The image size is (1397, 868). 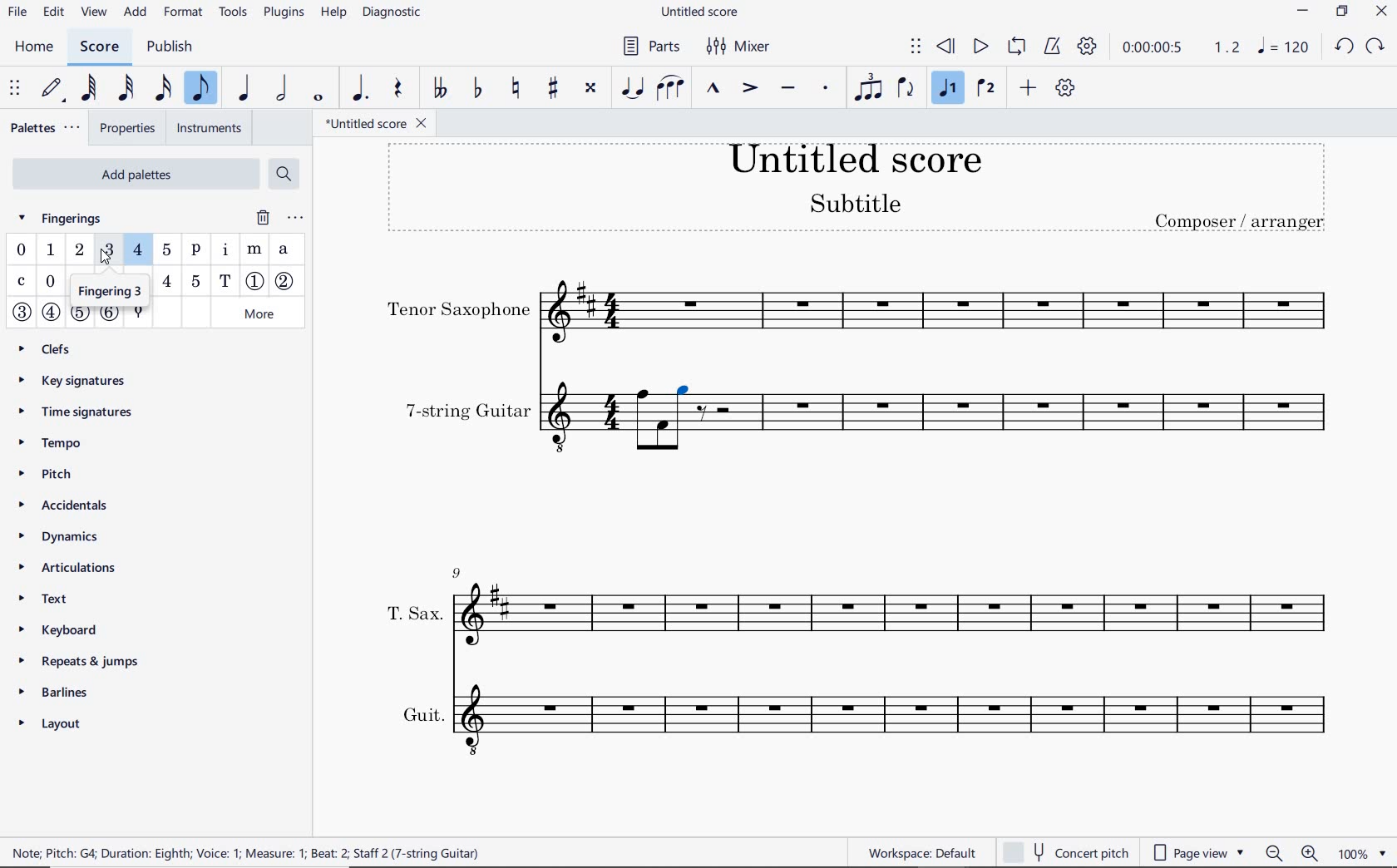 I want to click on ellipsis, so click(x=294, y=218).